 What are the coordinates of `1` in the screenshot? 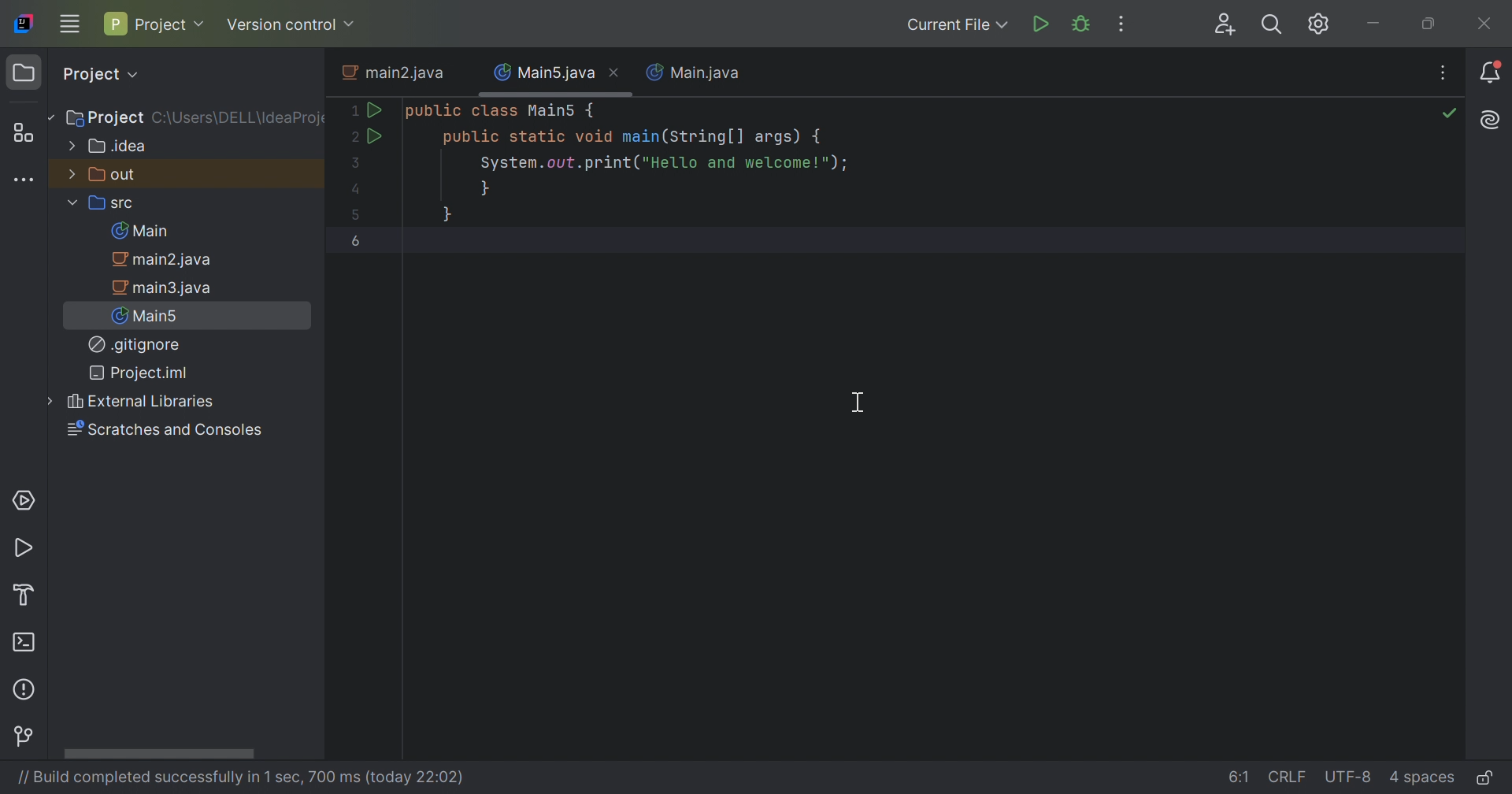 It's located at (350, 112).